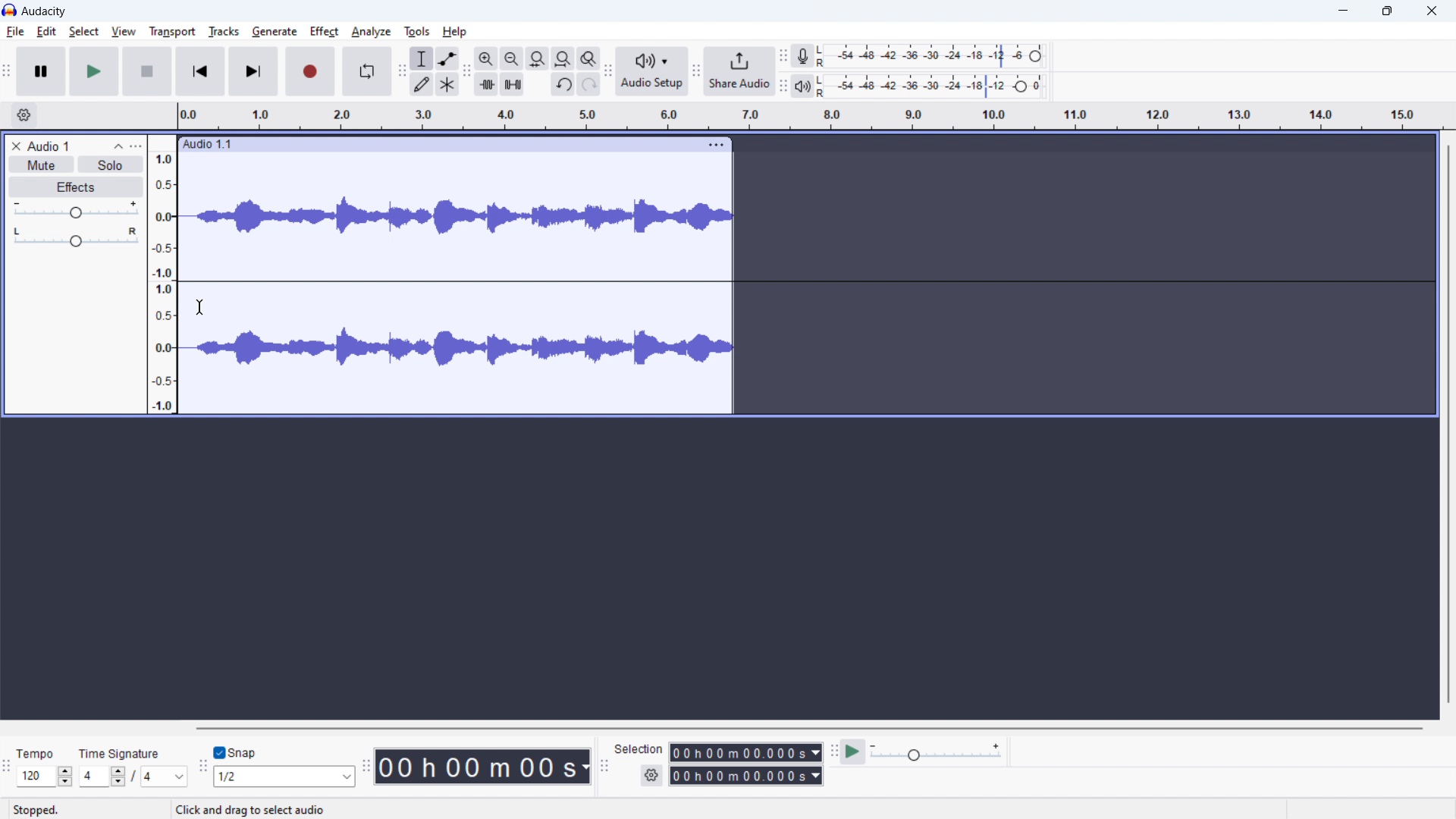 The image size is (1456, 819). I want to click on select snapping, so click(284, 776).